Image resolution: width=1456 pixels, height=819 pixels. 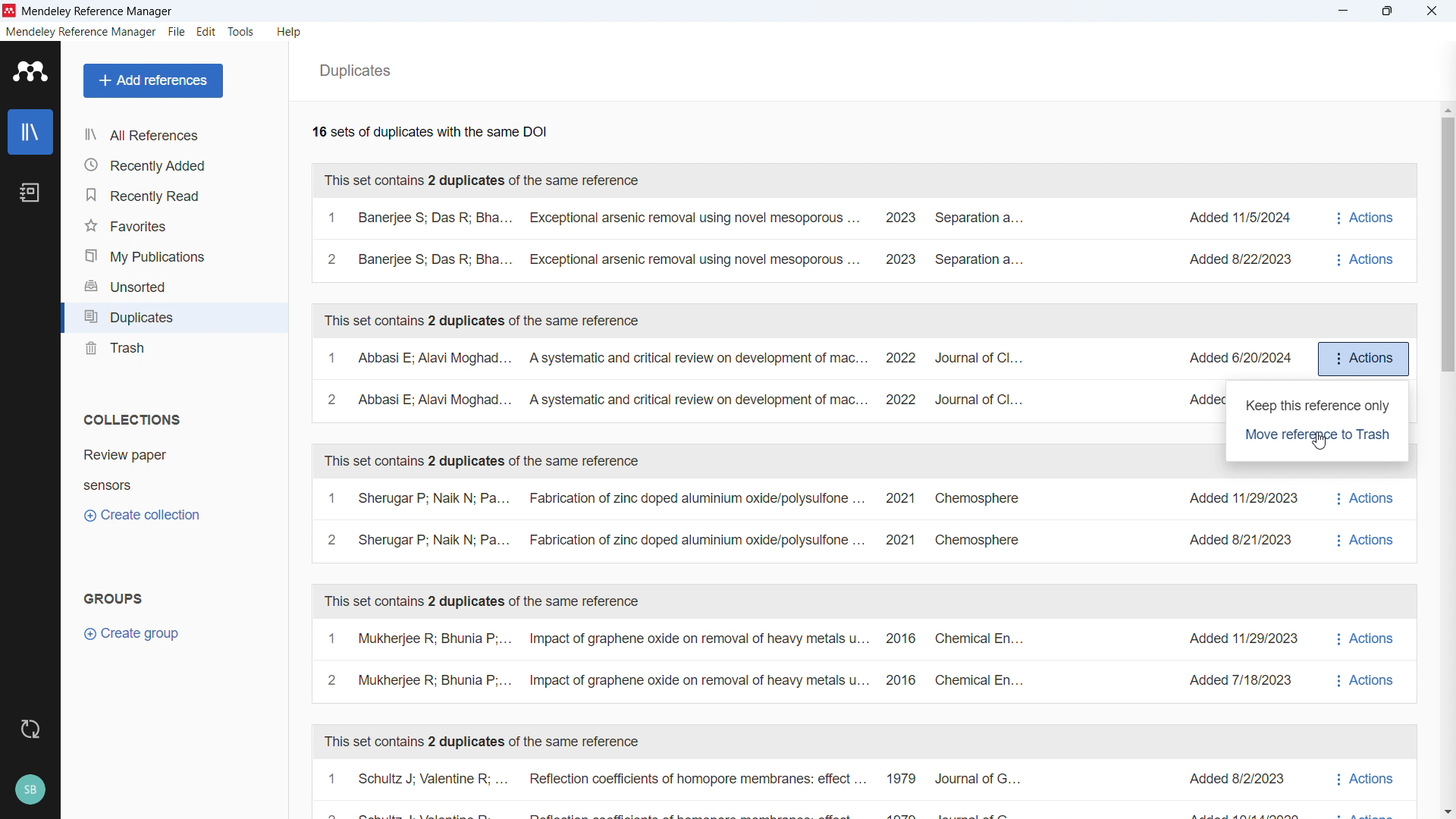 What do you see at coordinates (206, 31) in the screenshot?
I see `edit` at bounding box center [206, 31].